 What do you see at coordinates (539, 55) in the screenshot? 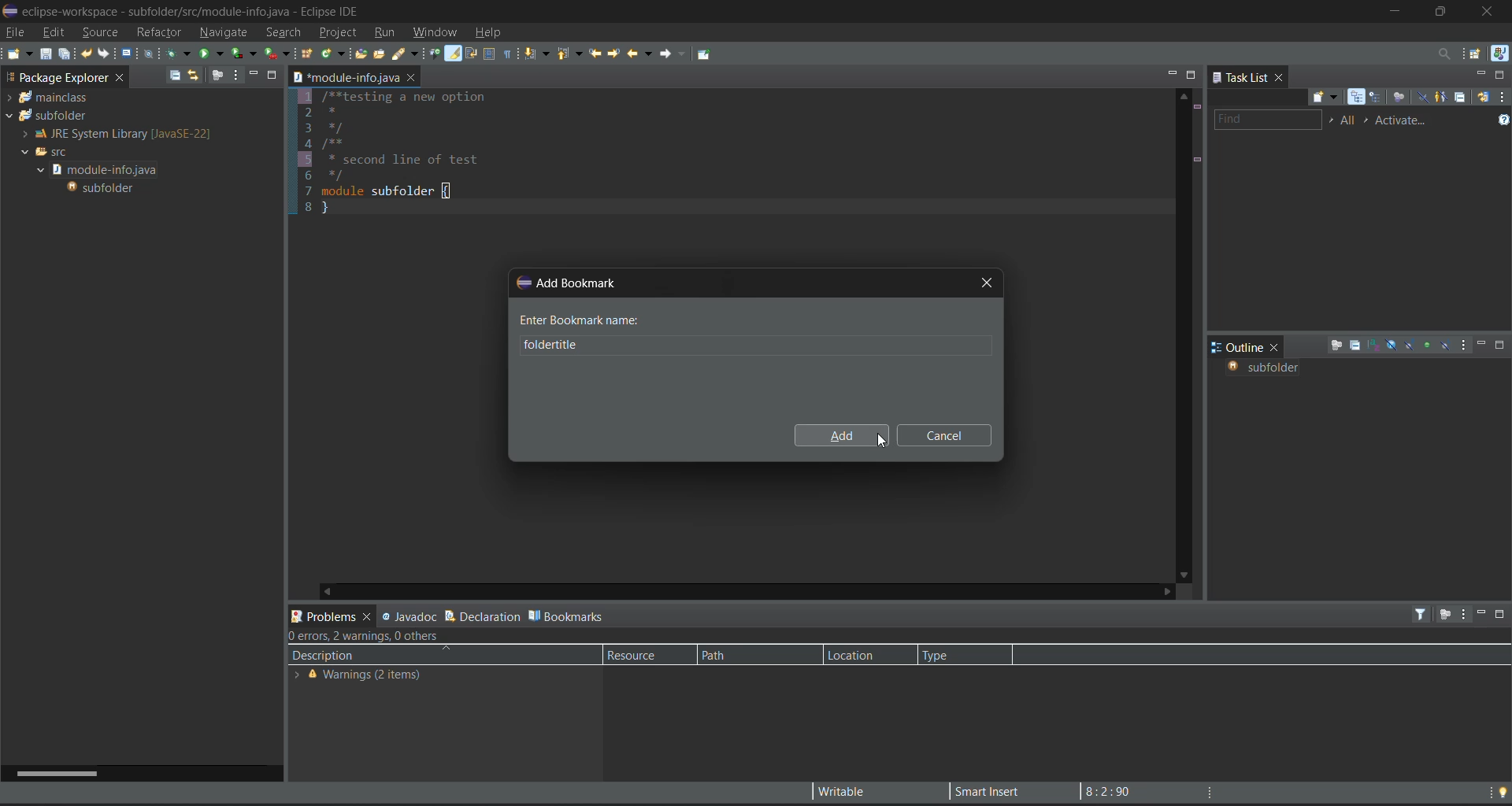
I see `next annotation` at bounding box center [539, 55].